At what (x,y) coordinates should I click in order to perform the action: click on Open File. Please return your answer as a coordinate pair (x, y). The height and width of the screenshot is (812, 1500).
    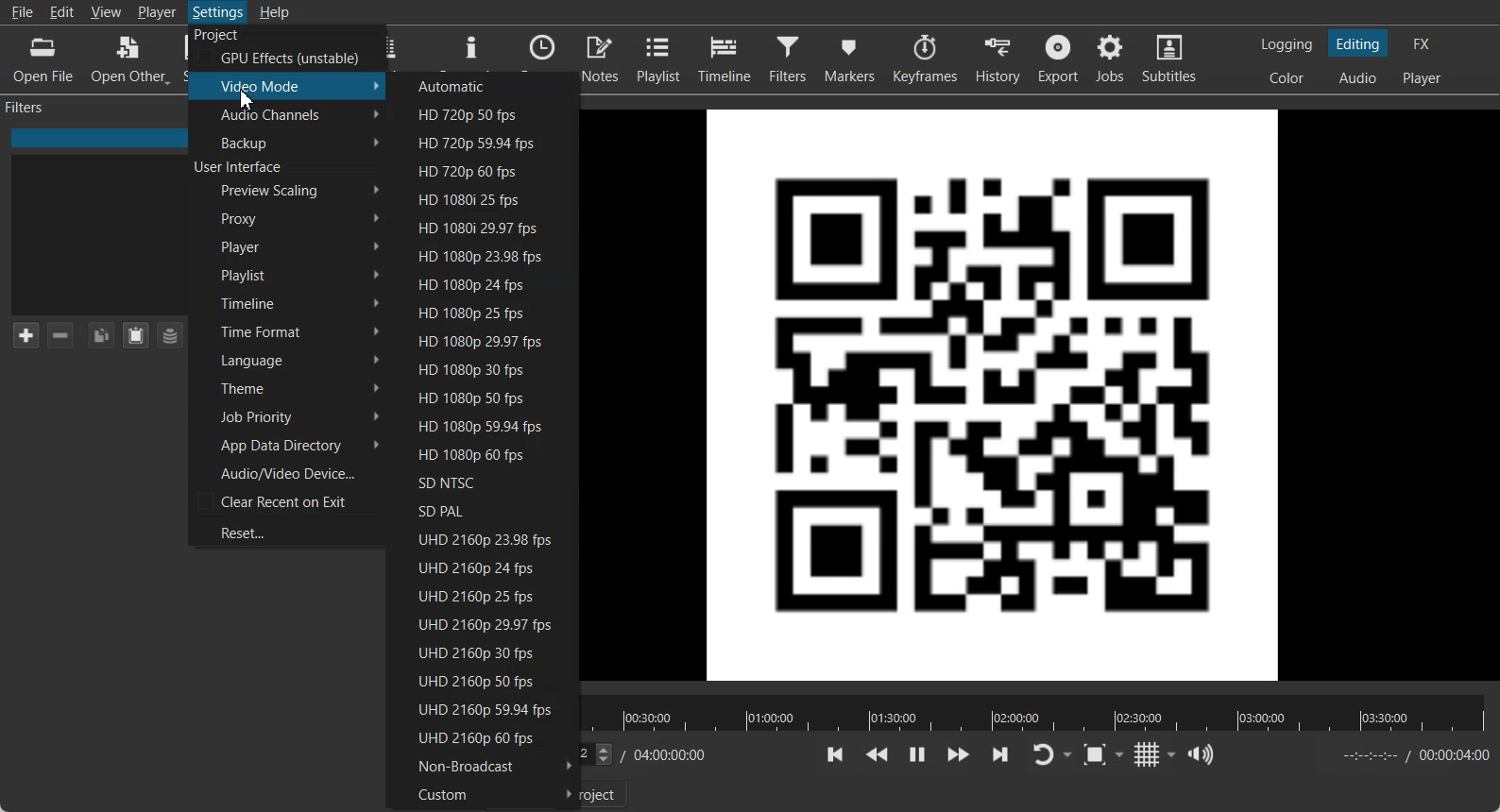
    Looking at the image, I should click on (45, 59).